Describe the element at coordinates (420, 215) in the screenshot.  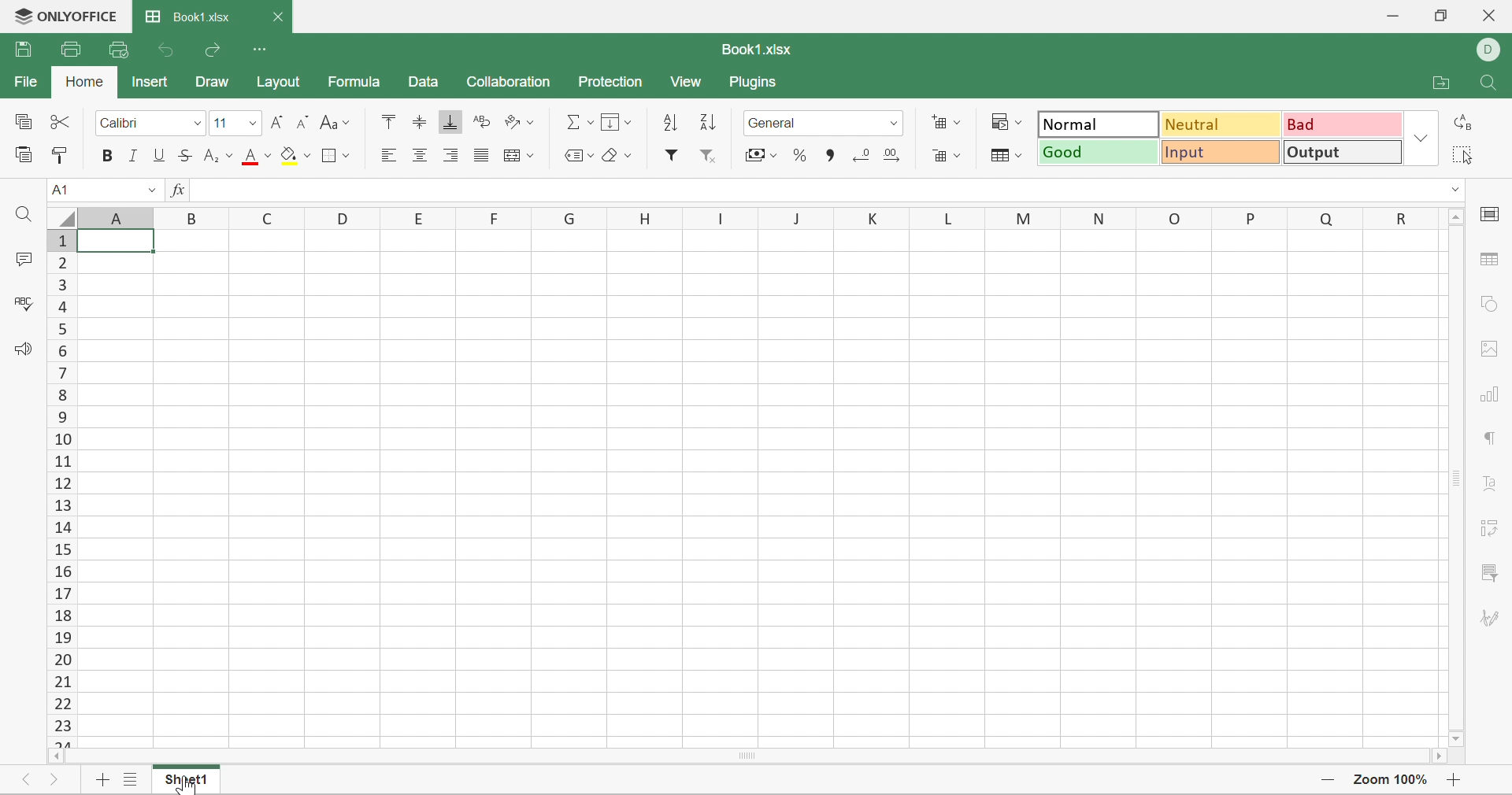
I see `E` at that location.